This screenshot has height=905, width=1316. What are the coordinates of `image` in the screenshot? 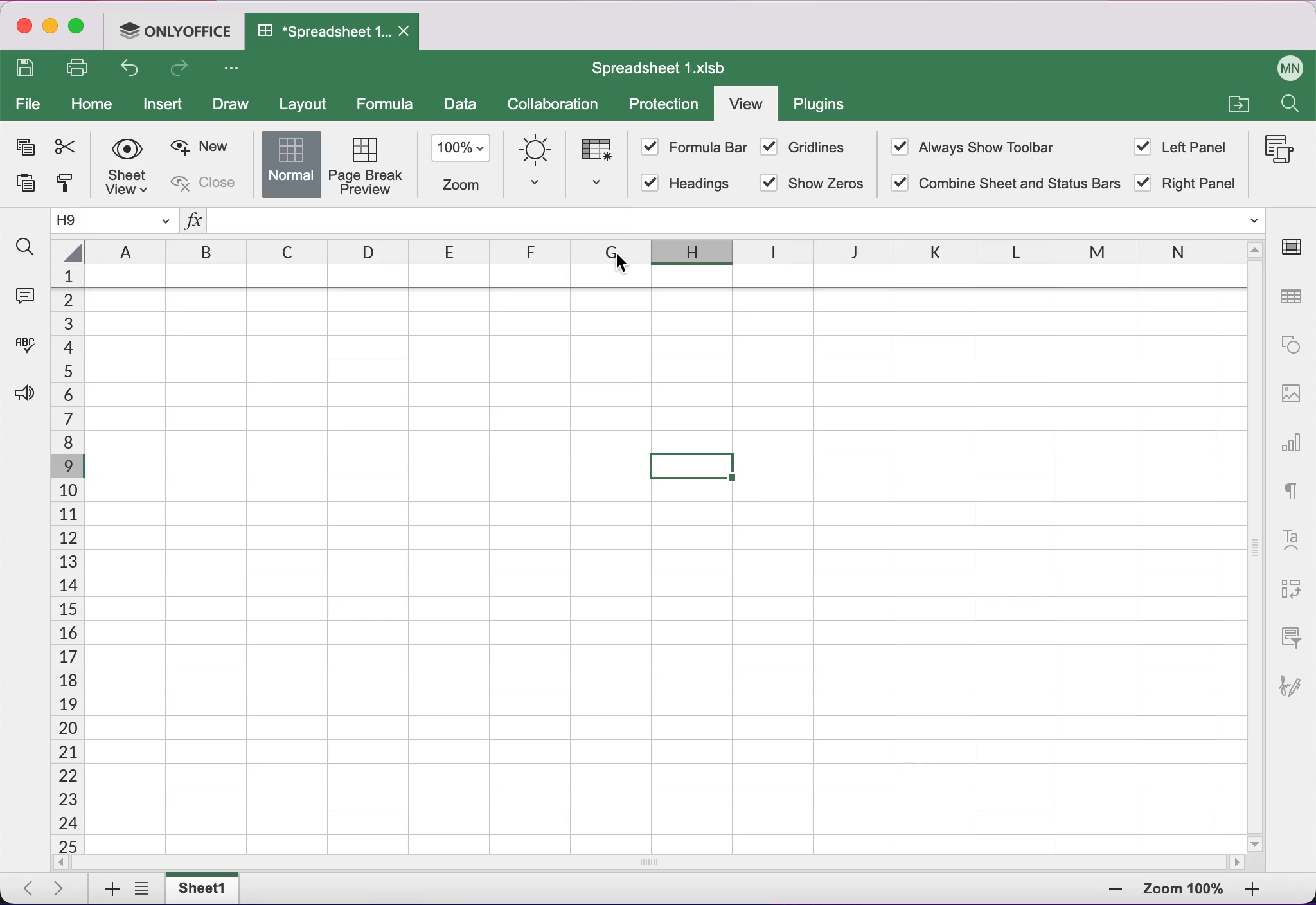 It's located at (235, 165).